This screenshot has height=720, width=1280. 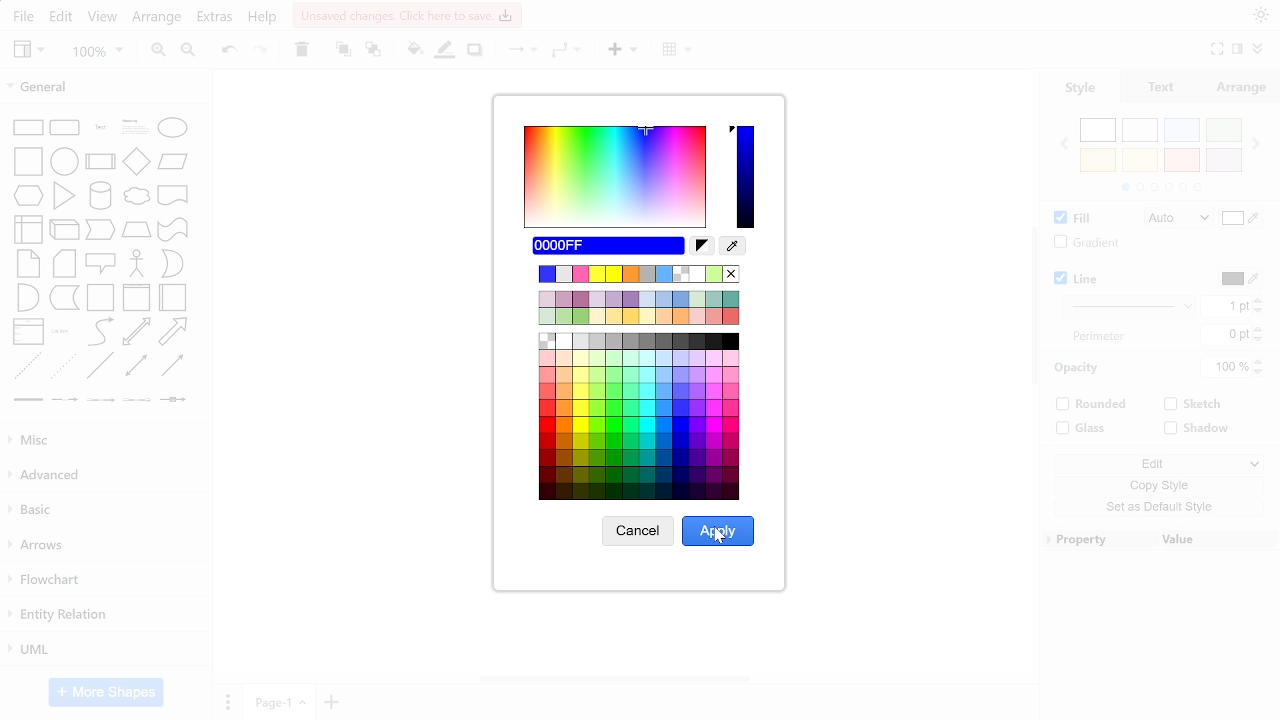 I want to click on next, so click(x=1257, y=143).